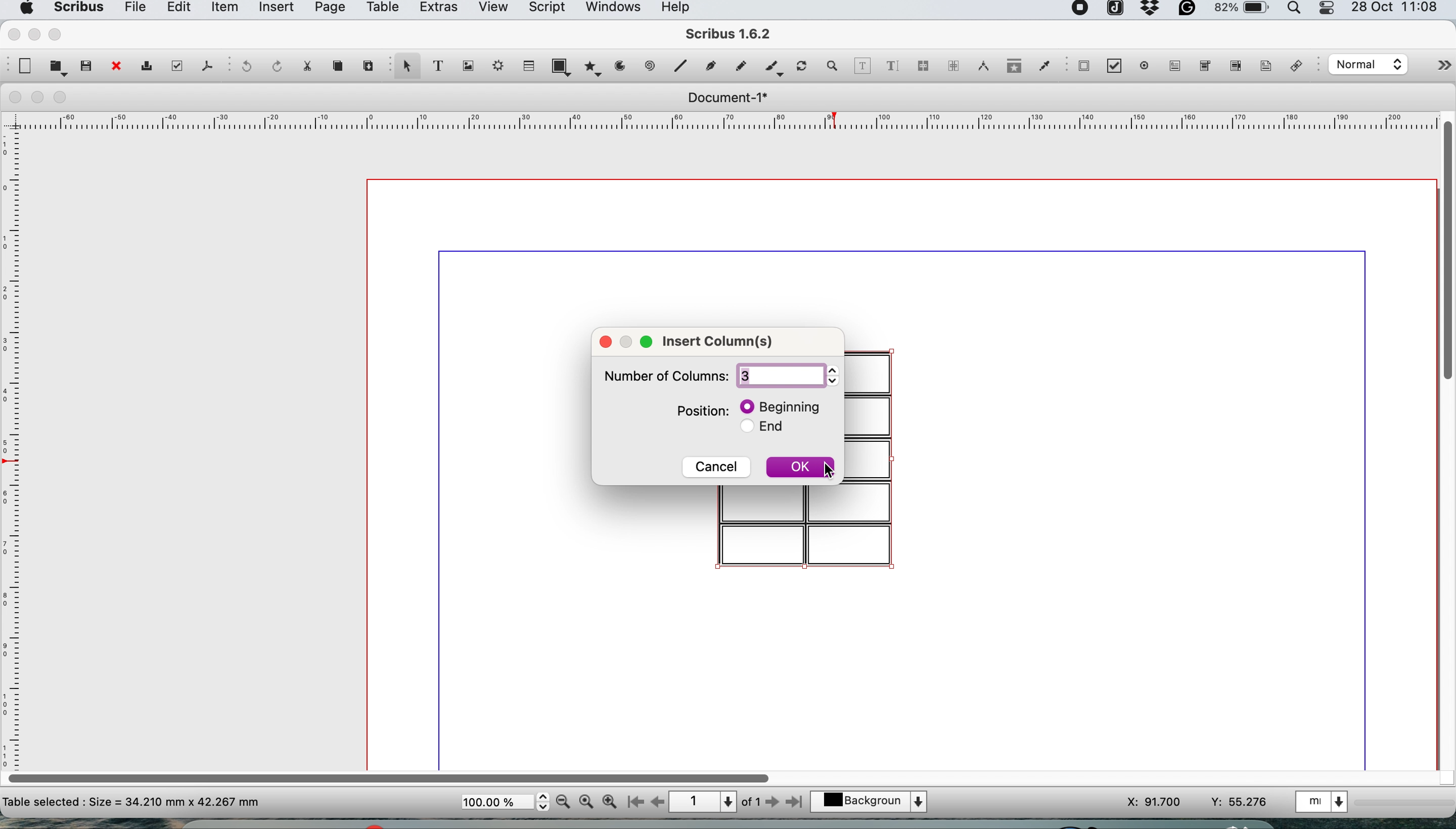 This screenshot has height=829, width=1456. Describe the element at coordinates (830, 470) in the screenshot. I see `cursor` at that location.